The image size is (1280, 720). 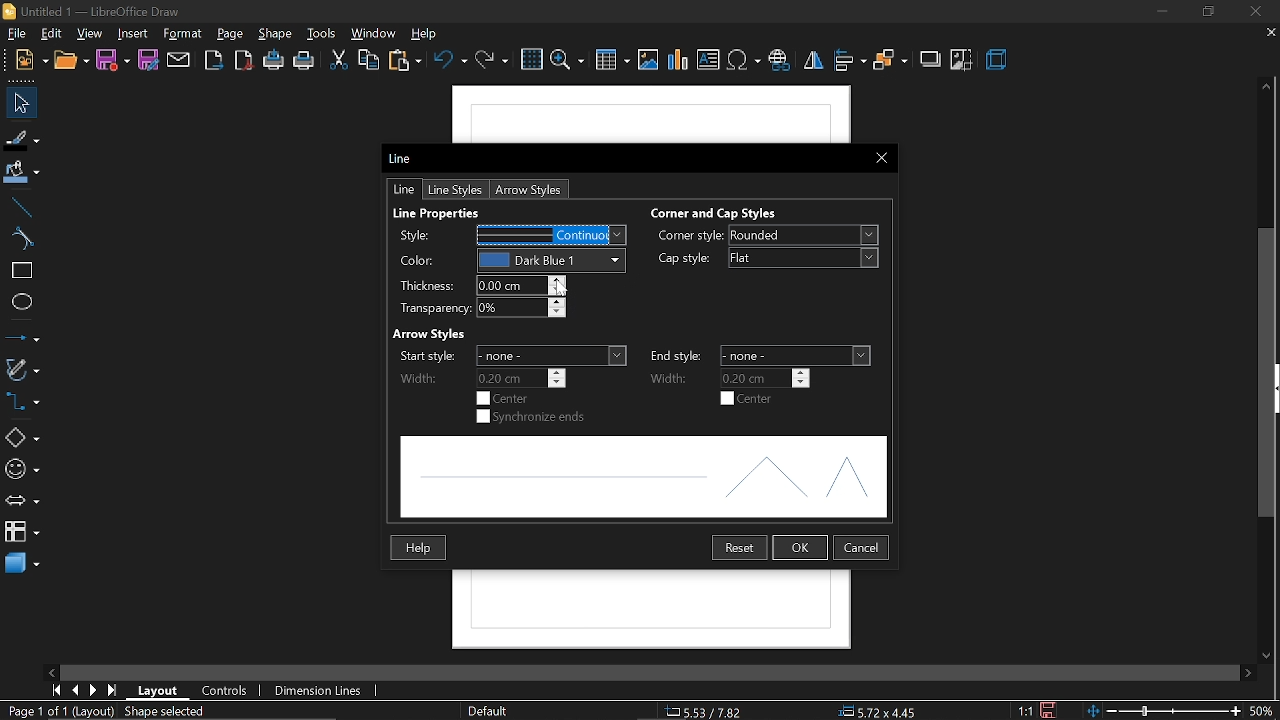 I want to click on go to first page, so click(x=54, y=690).